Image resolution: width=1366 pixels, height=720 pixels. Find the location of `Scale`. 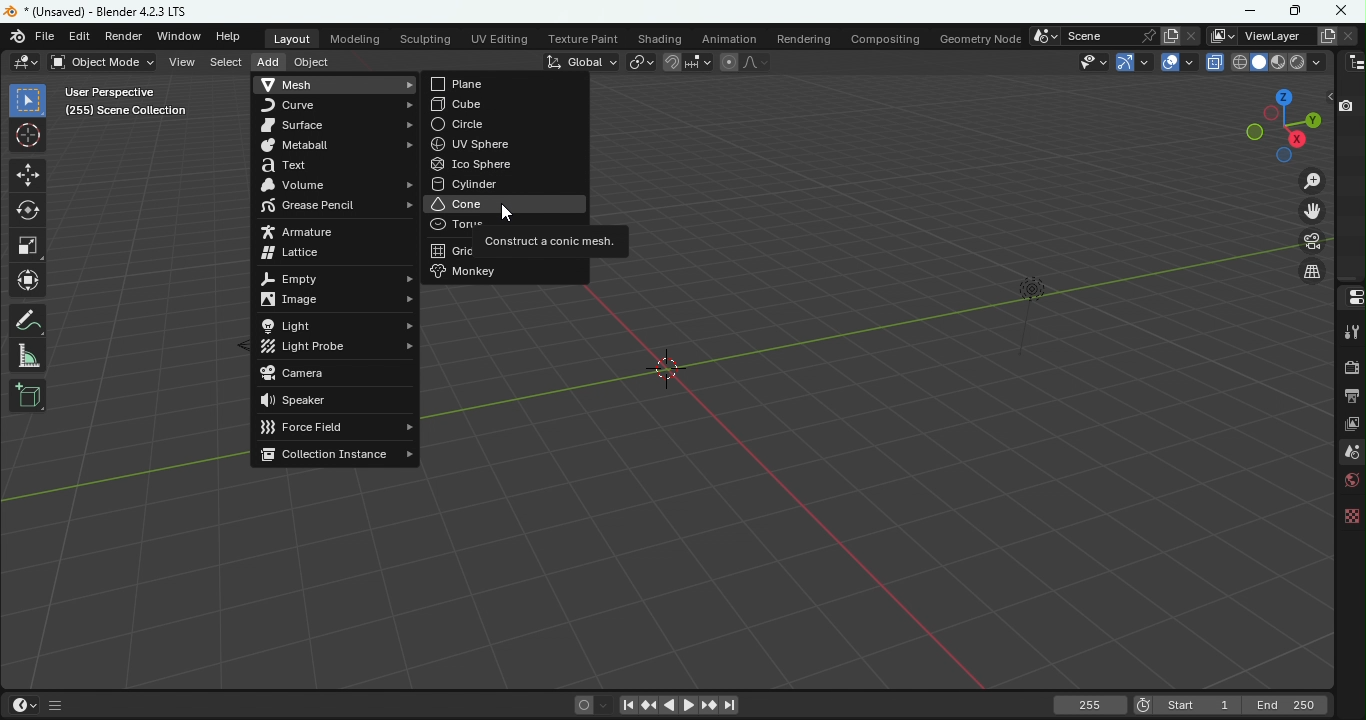

Scale is located at coordinates (30, 244).